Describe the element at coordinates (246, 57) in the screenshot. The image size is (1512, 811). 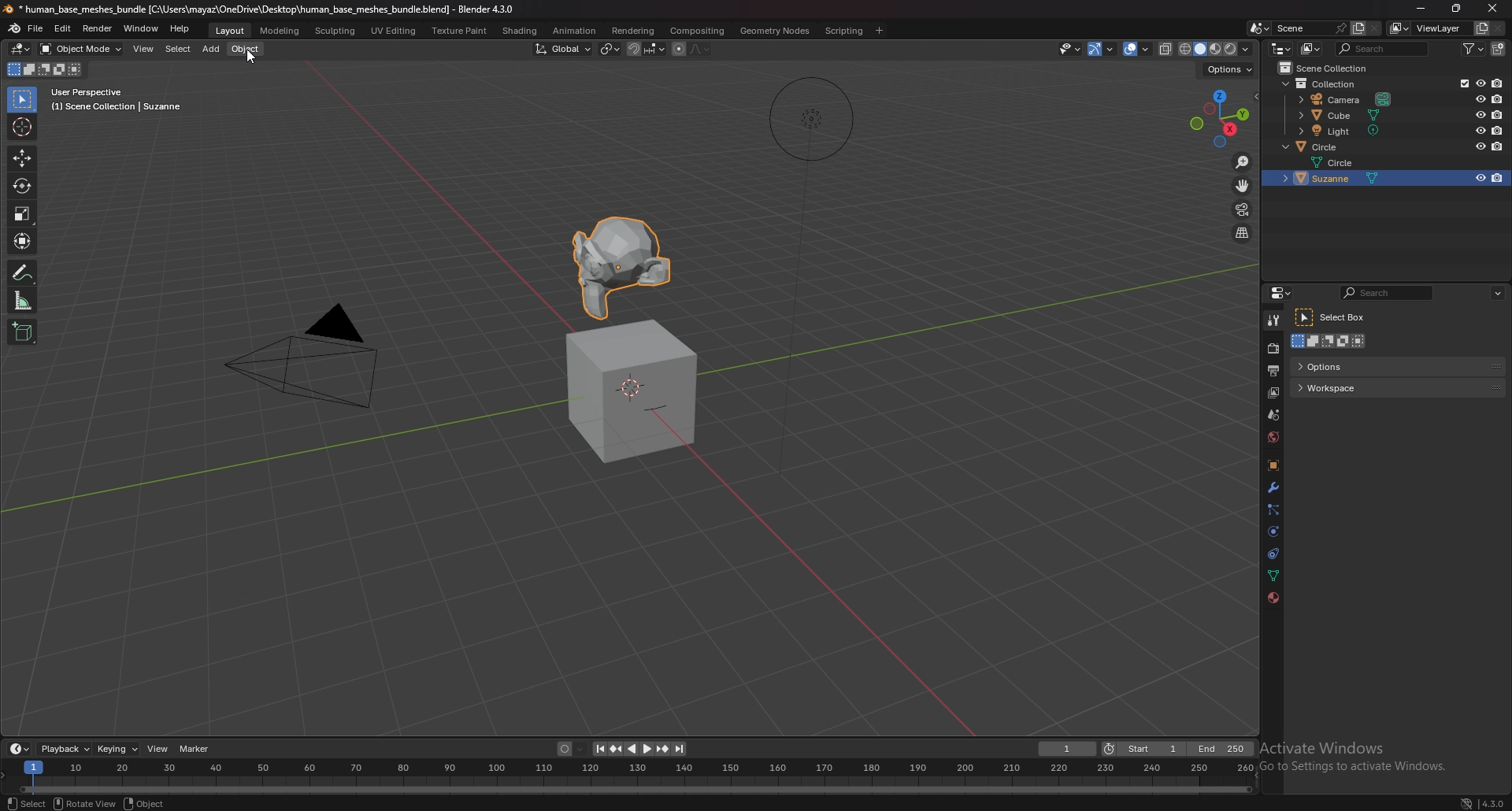
I see `cursor` at that location.